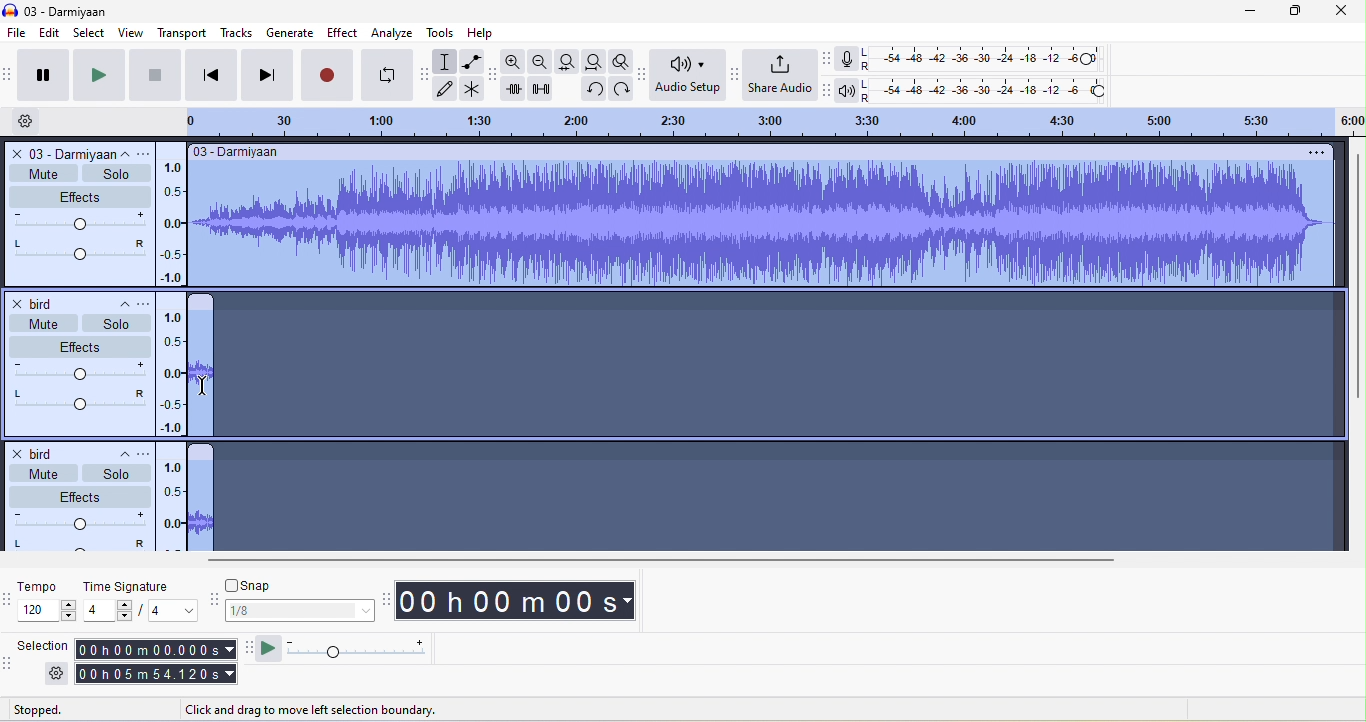  Describe the element at coordinates (52, 34) in the screenshot. I see `edit` at that location.